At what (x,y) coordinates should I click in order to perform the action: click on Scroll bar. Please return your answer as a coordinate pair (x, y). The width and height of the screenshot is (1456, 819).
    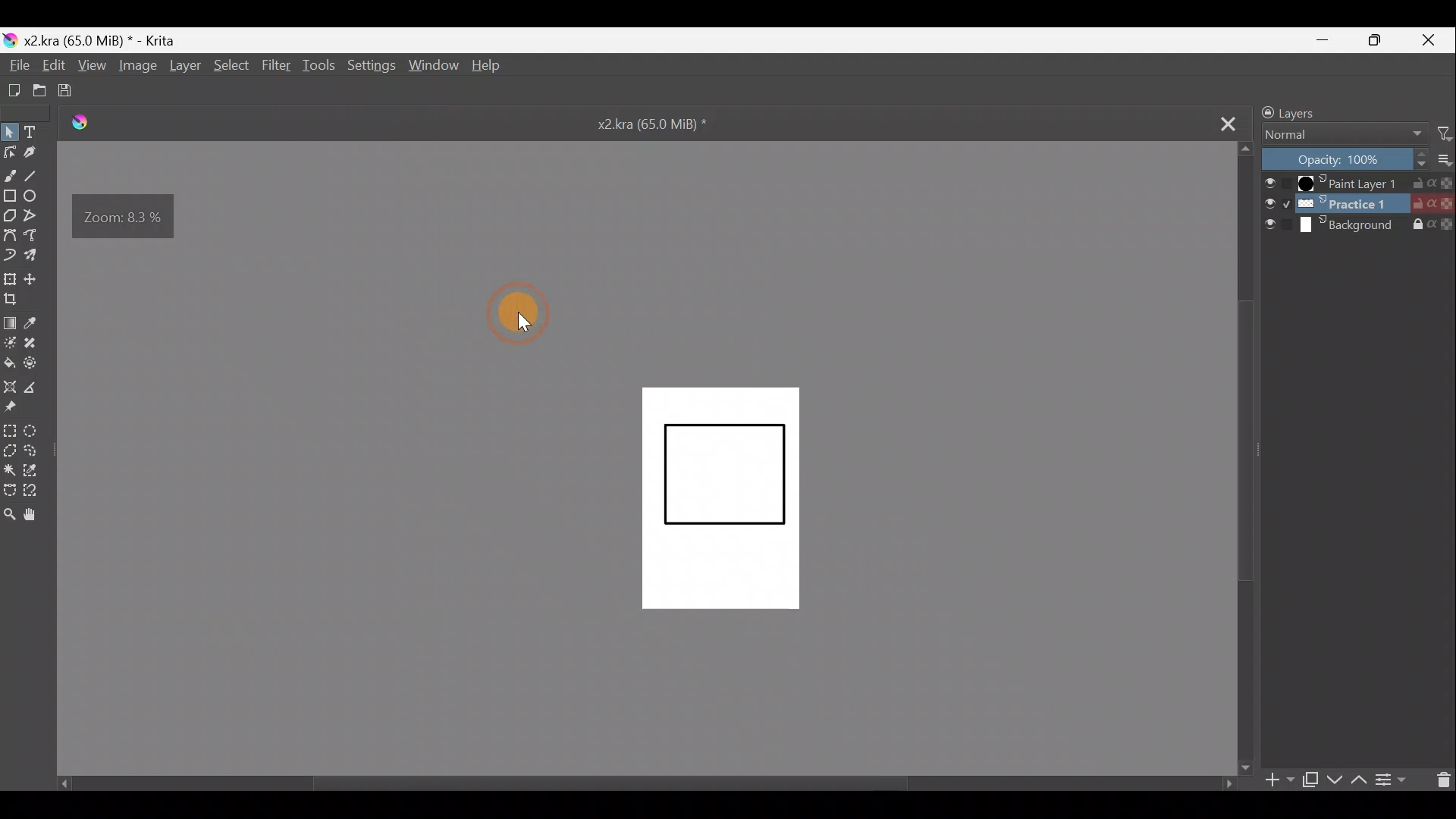
    Looking at the image, I should click on (1245, 460).